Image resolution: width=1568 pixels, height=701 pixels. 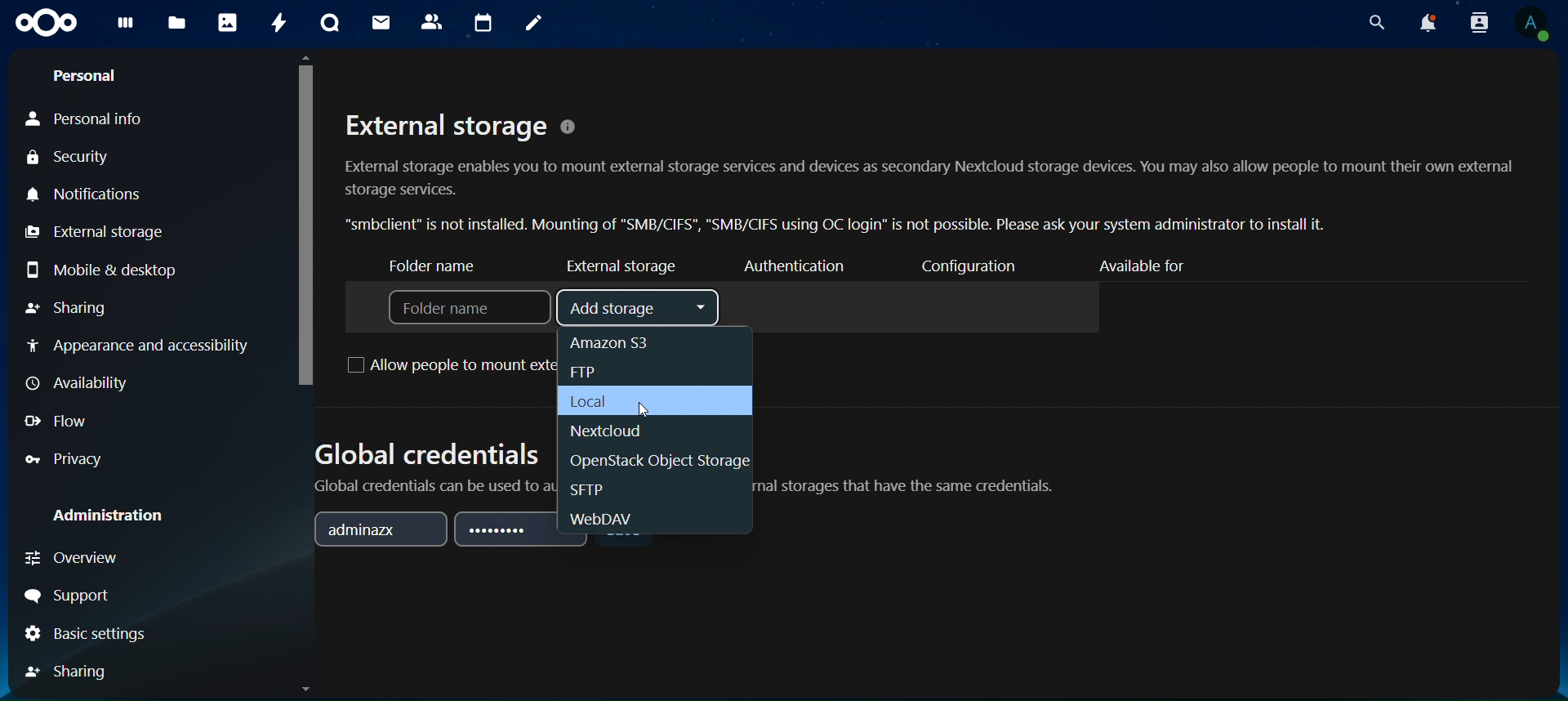 What do you see at coordinates (974, 268) in the screenshot?
I see `configuration` at bounding box center [974, 268].